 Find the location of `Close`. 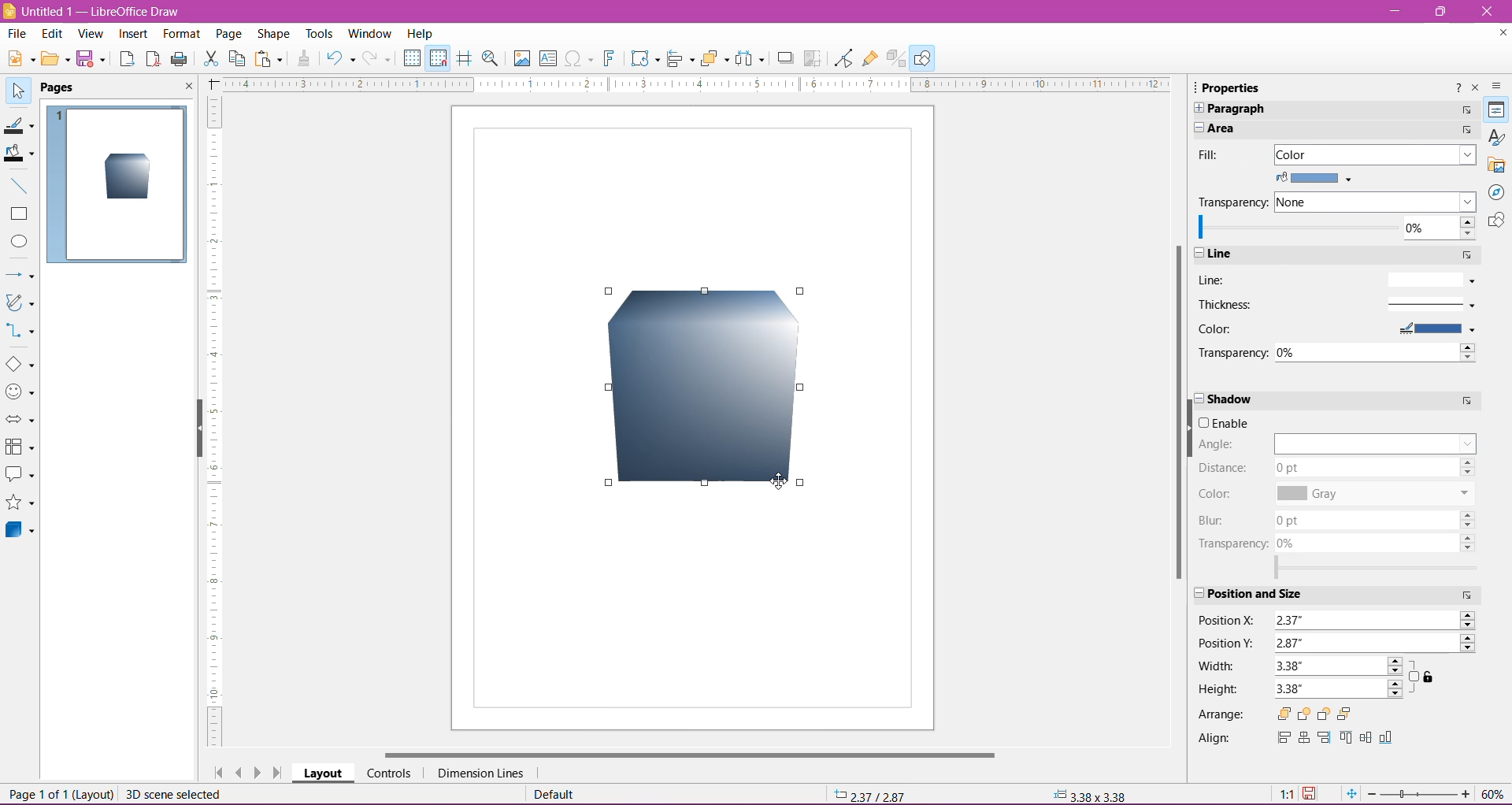

Close is located at coordinates (1488, 12).